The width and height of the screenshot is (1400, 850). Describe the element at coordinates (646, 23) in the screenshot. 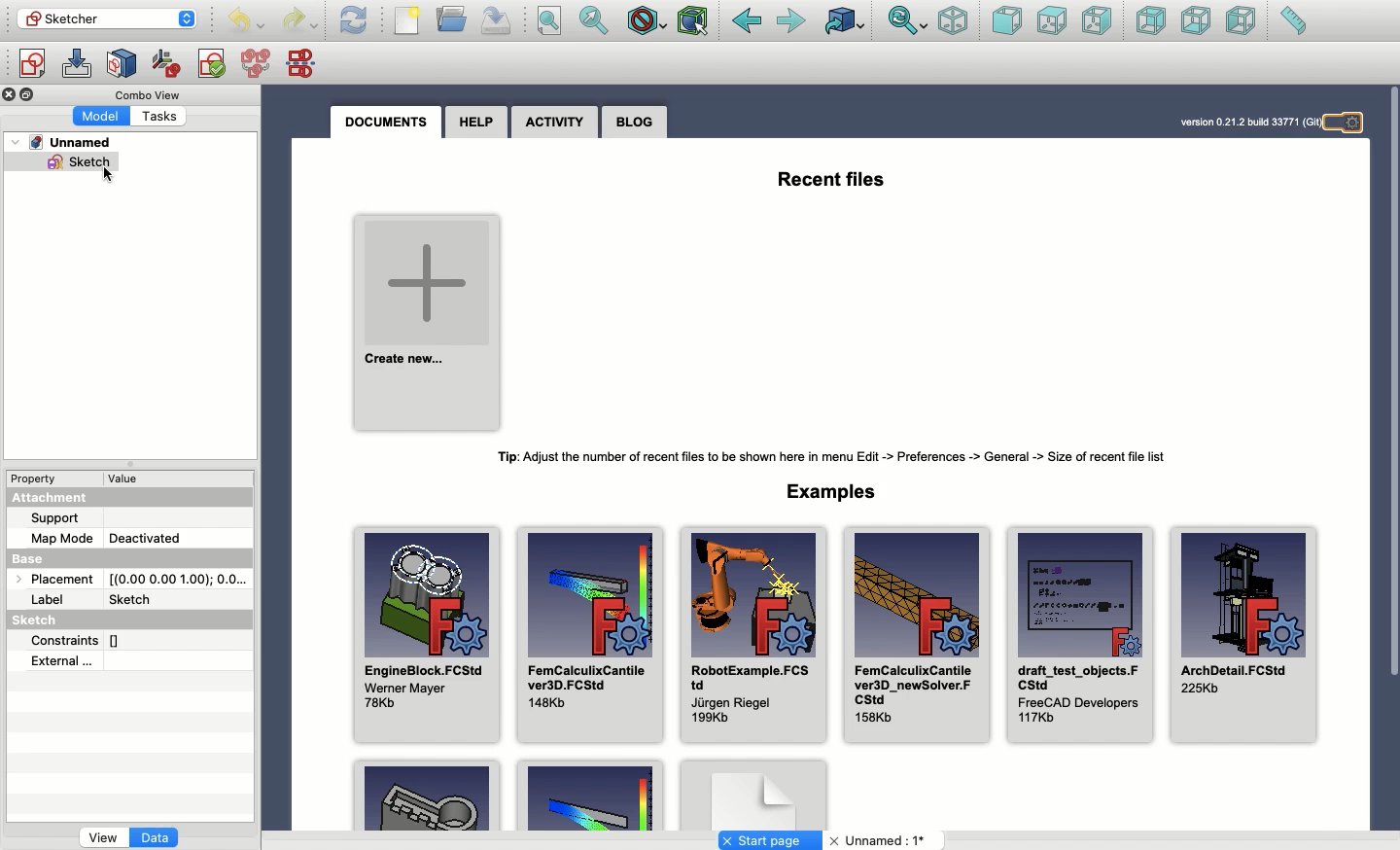

I see `Draw style` at that location.